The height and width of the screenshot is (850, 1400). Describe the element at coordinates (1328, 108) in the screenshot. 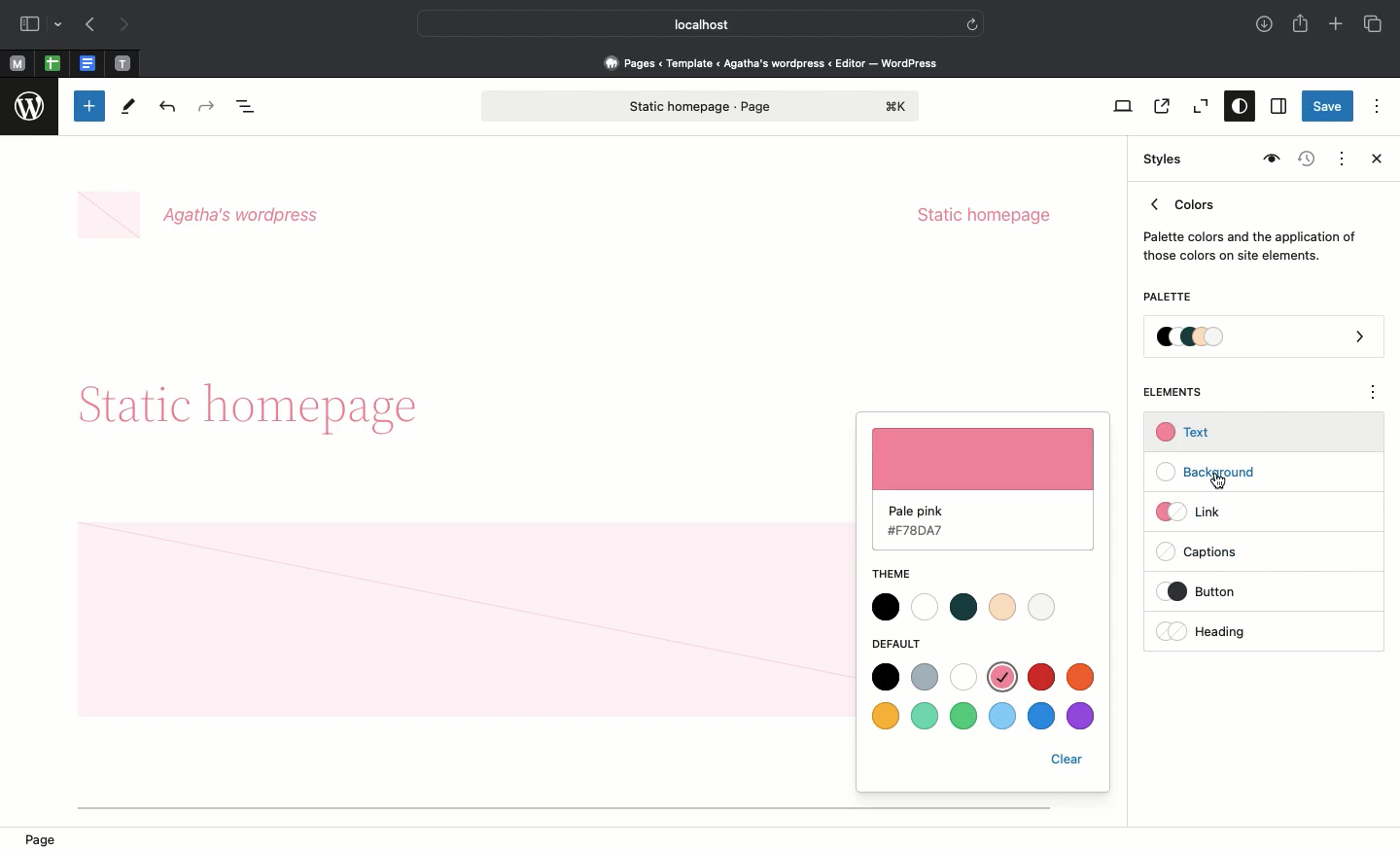

I see `Save` at that location.